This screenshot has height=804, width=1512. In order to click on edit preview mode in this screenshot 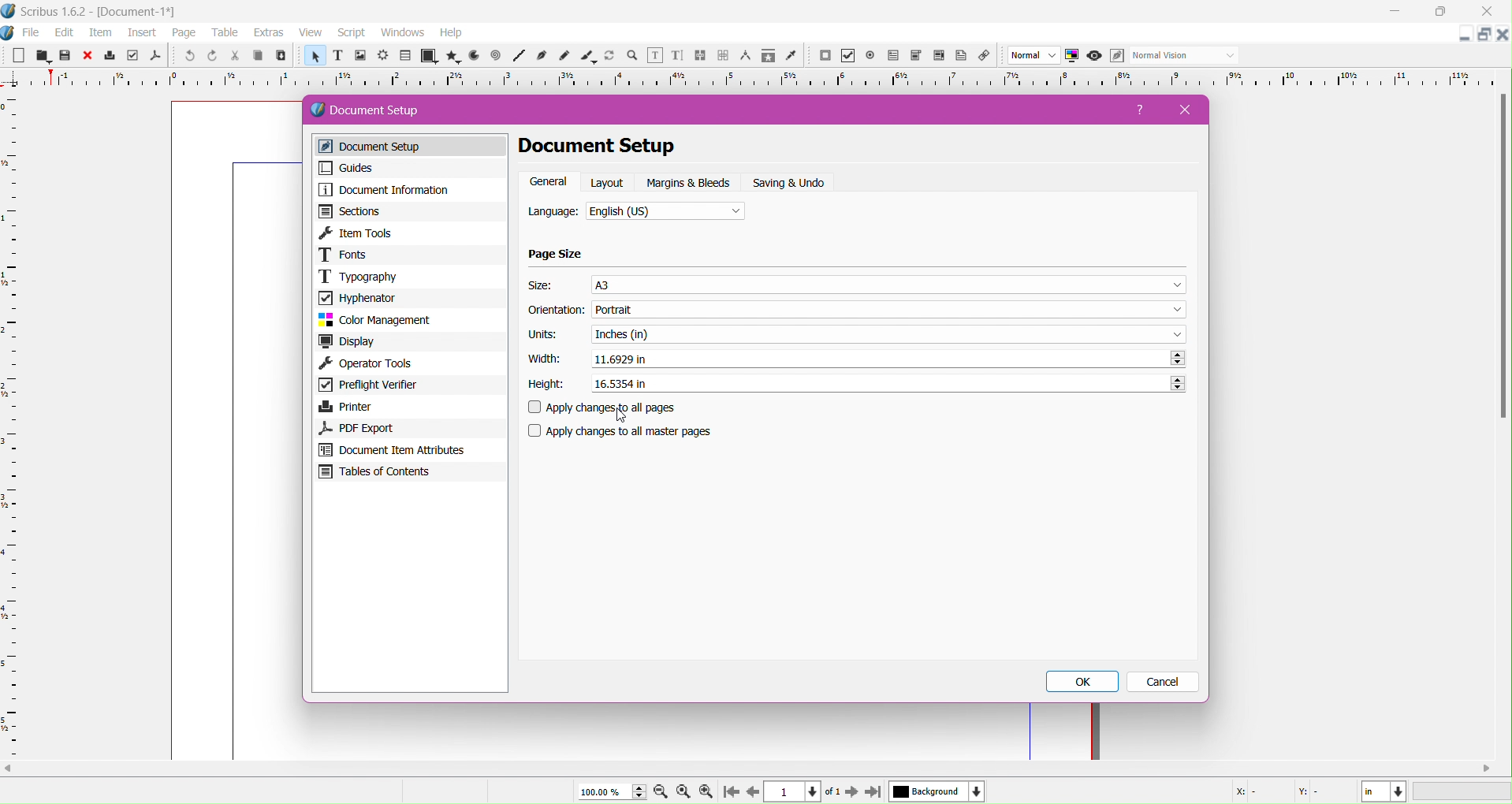, I will do `click(1116, 56)`.